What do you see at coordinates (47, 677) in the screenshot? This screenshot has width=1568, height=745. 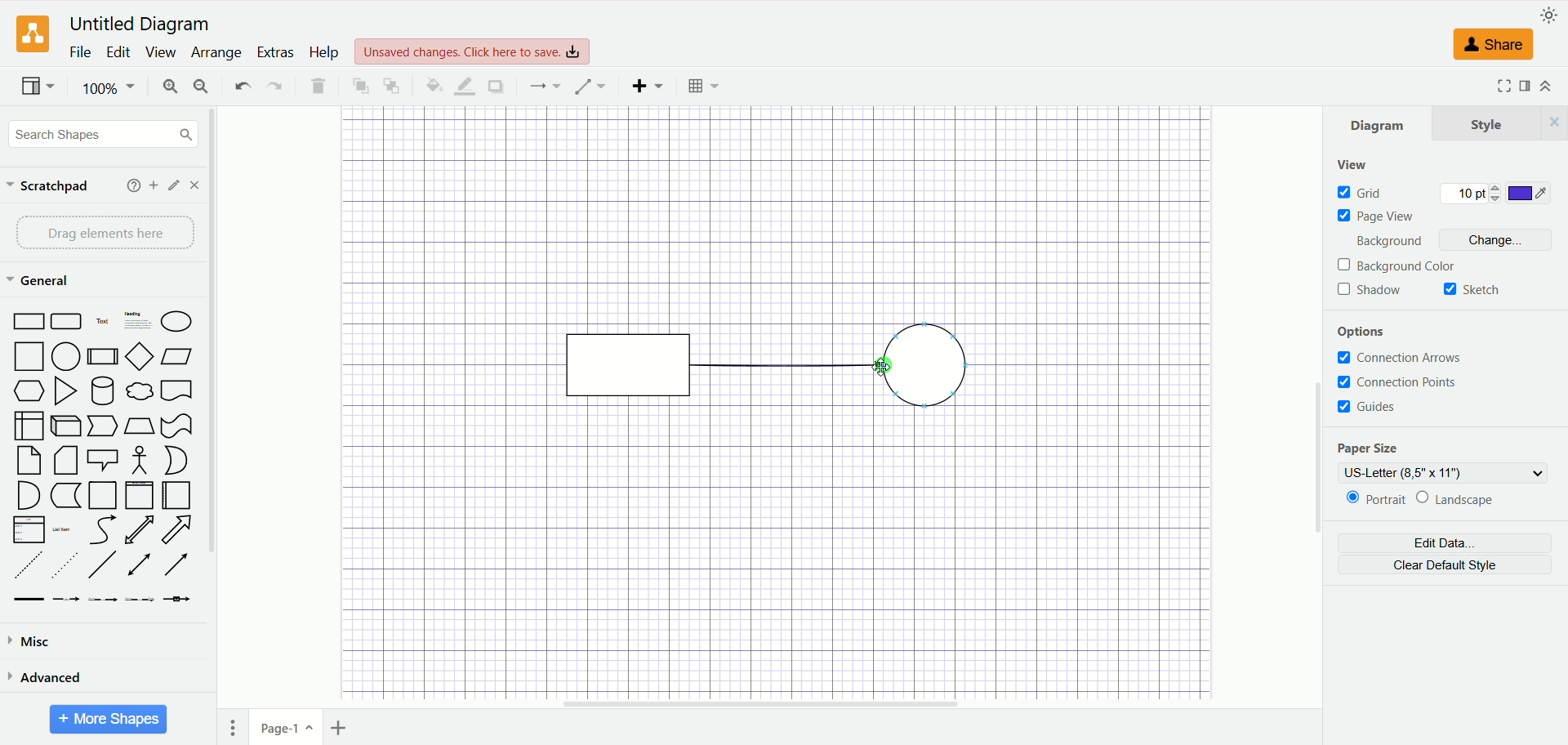 I see `advanced` at bounding box center [47, 677].